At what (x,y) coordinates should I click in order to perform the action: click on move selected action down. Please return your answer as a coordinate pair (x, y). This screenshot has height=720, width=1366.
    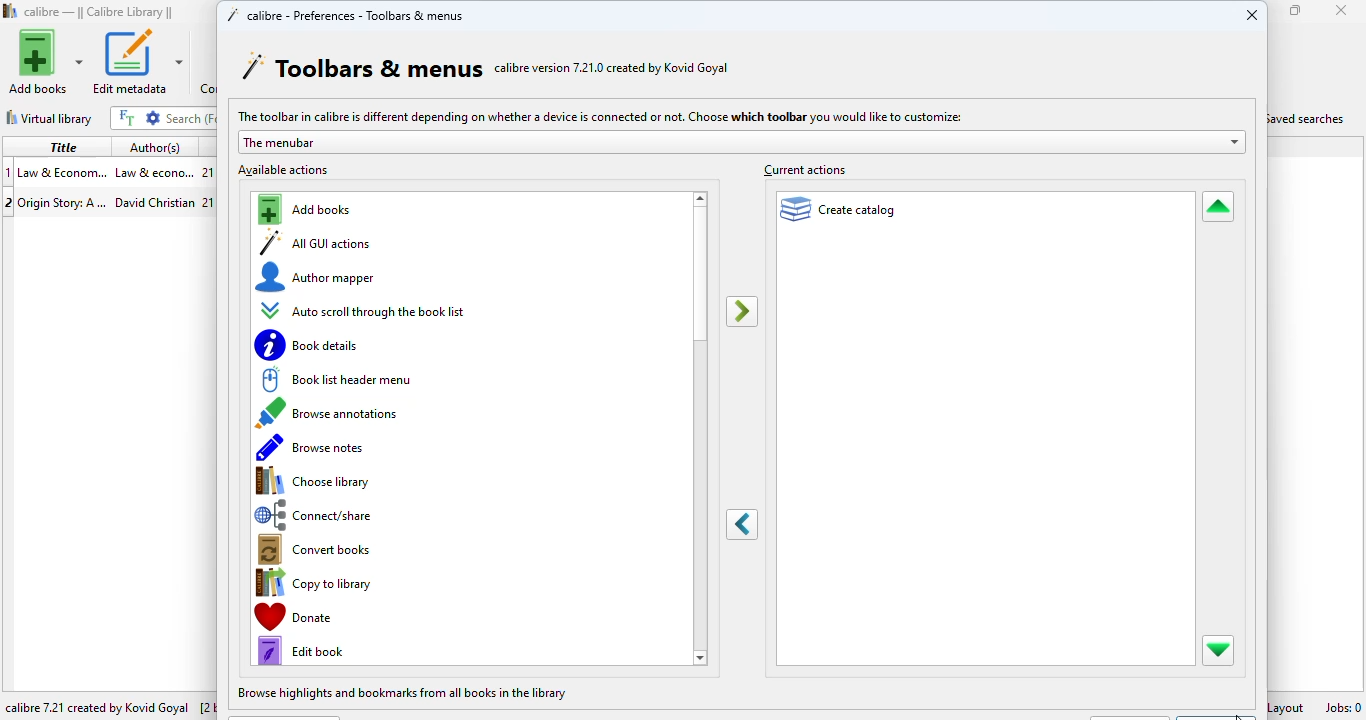
    Looking at the image, I should click on (1218, 650).